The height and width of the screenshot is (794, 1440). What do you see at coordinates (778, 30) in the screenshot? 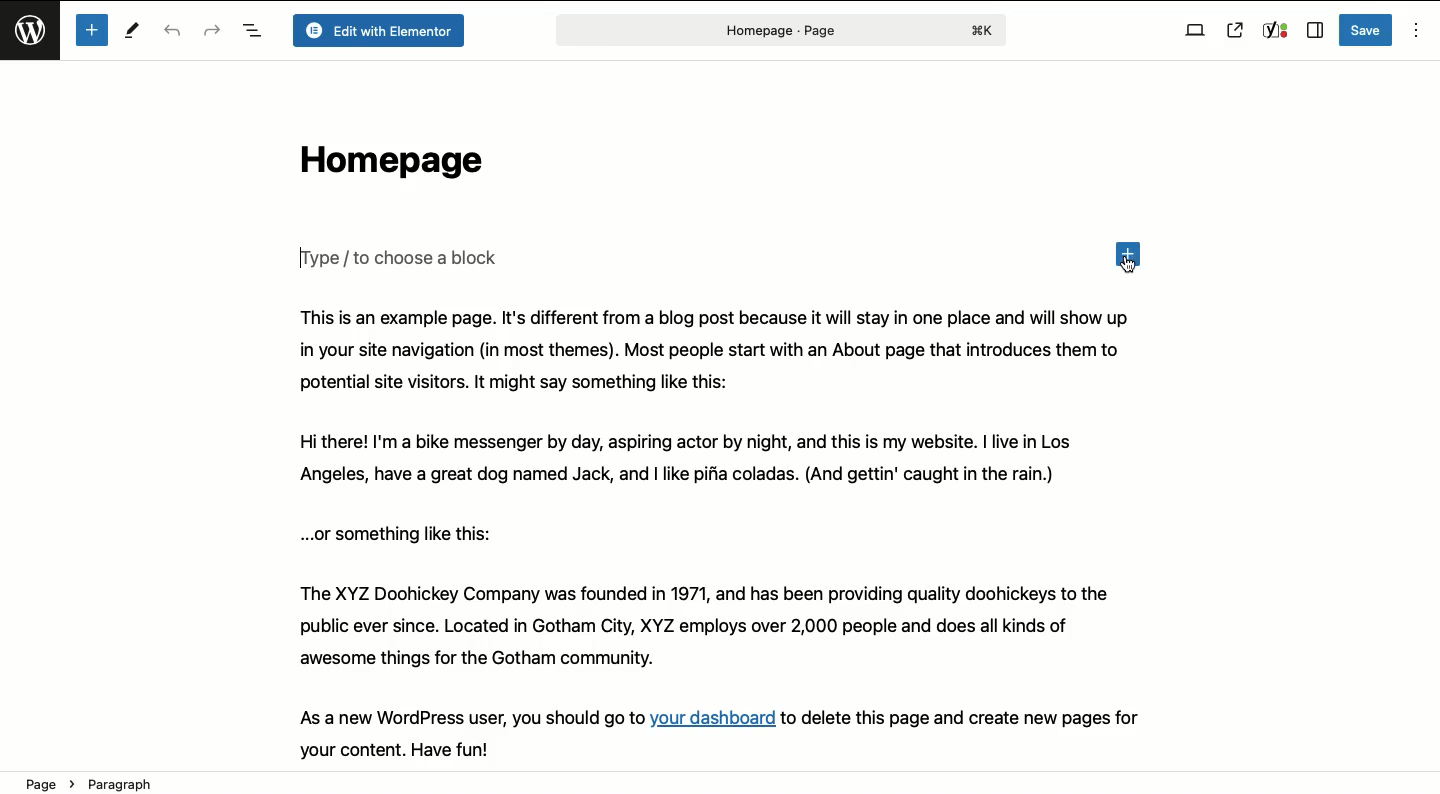
I see `Page` at bounding box center [778, 30].